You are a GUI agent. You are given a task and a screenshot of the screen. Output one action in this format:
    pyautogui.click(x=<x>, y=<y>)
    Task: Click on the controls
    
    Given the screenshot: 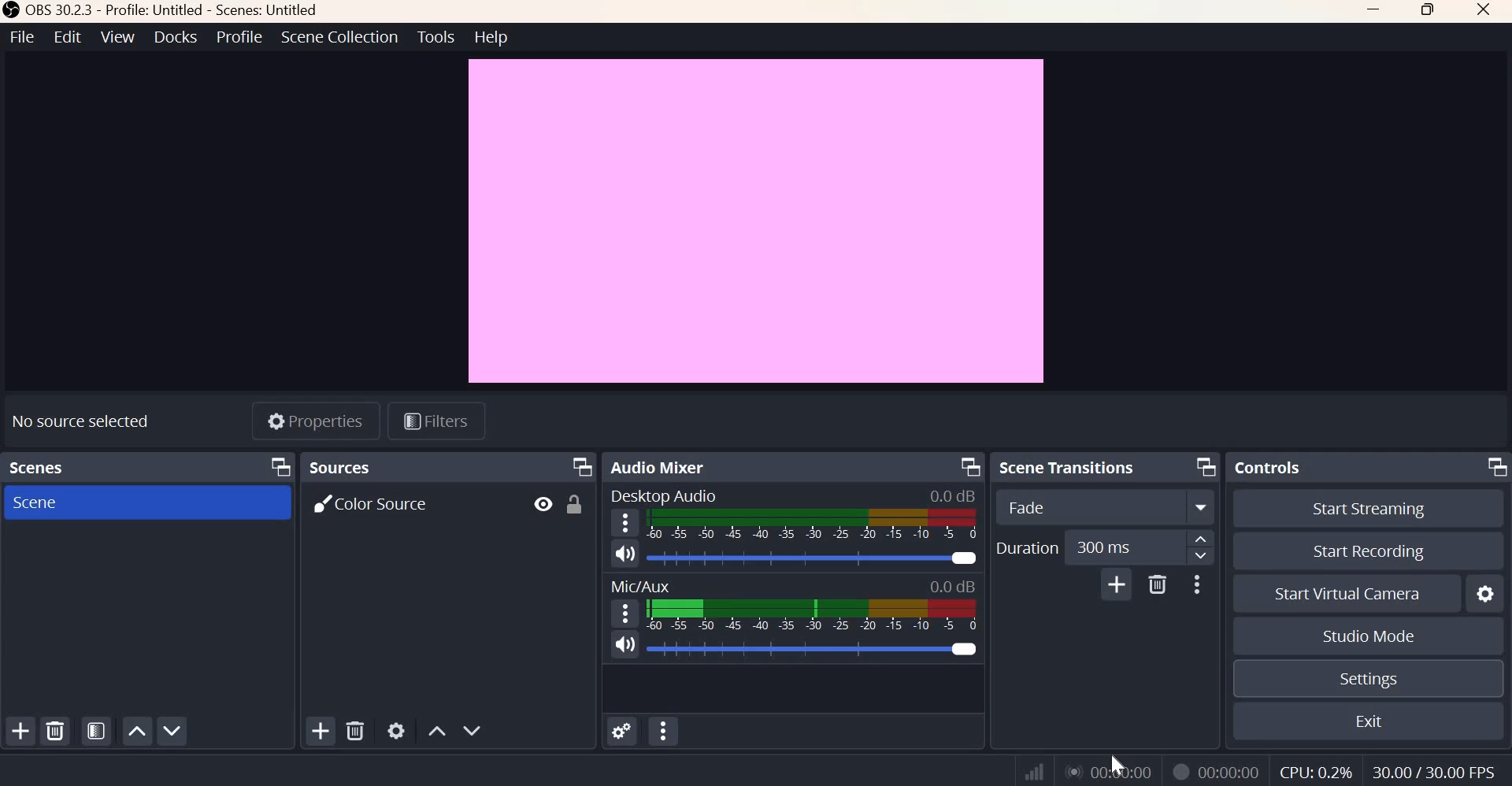 What is the action you would take?
    pyautogui.click(x=1273, y=467)
    